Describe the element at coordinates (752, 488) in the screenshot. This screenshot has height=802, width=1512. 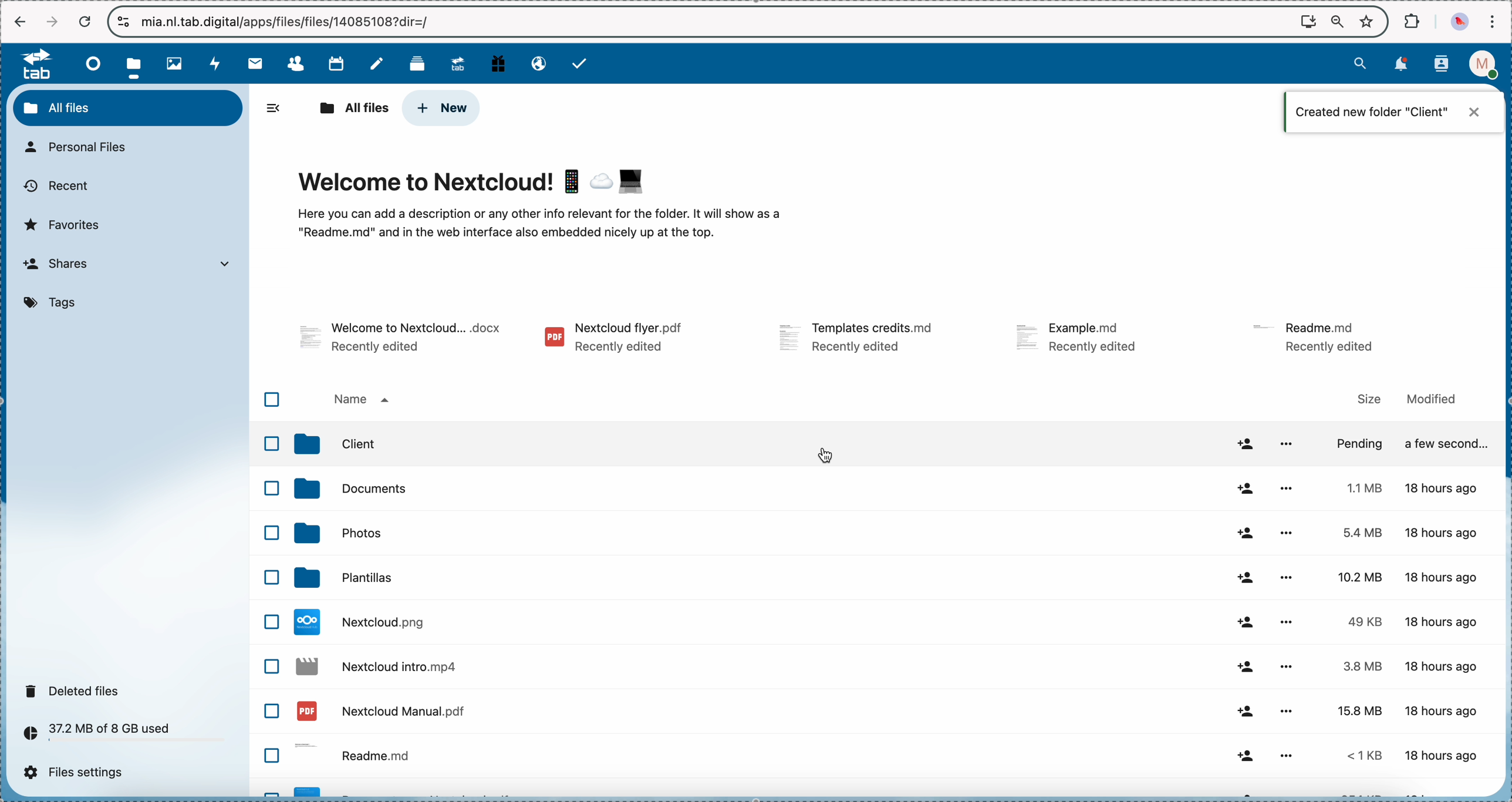
I see `photos` at that location.